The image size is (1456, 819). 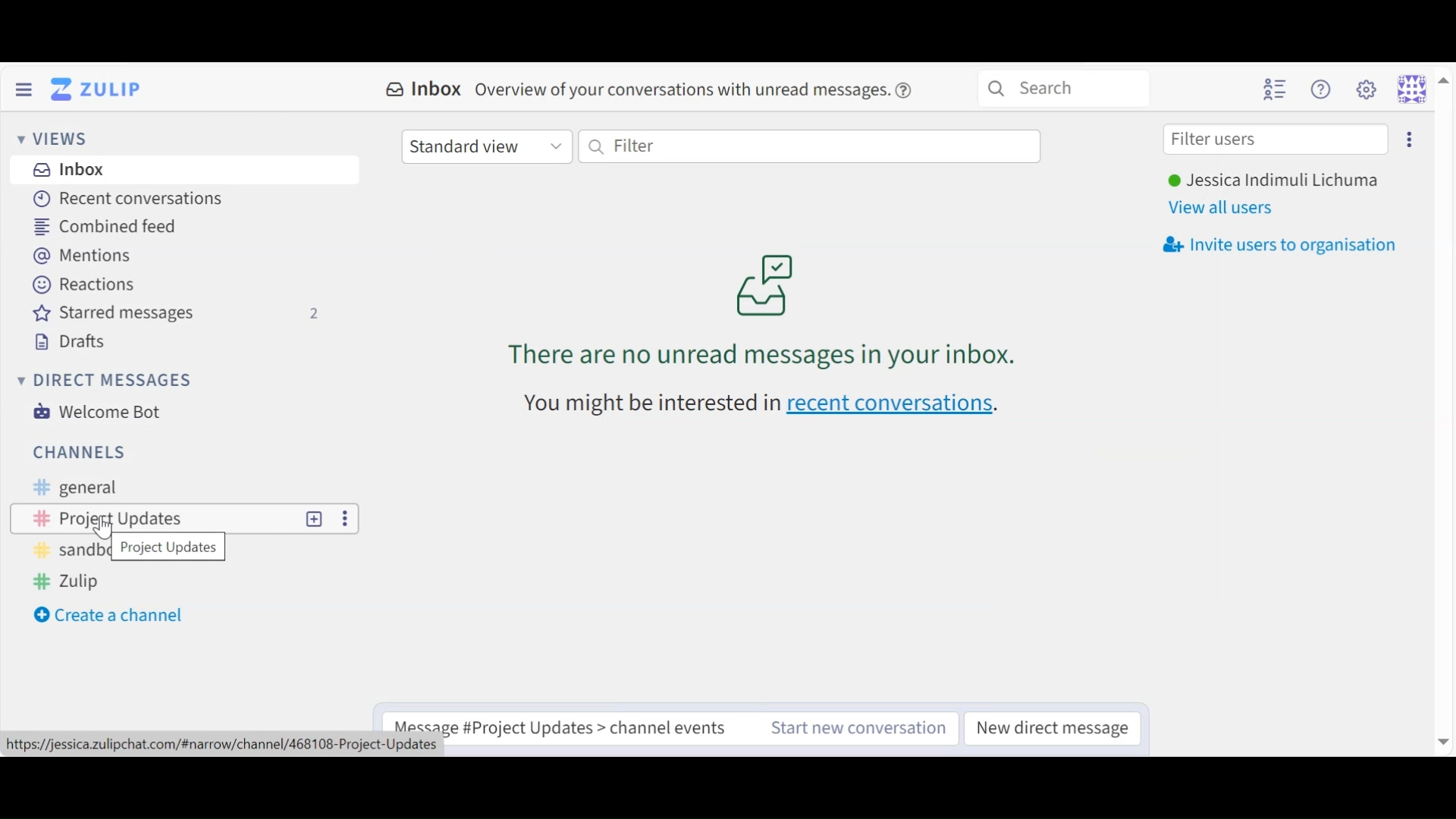 I want to click on Mentions, so click(x=83, y=255).